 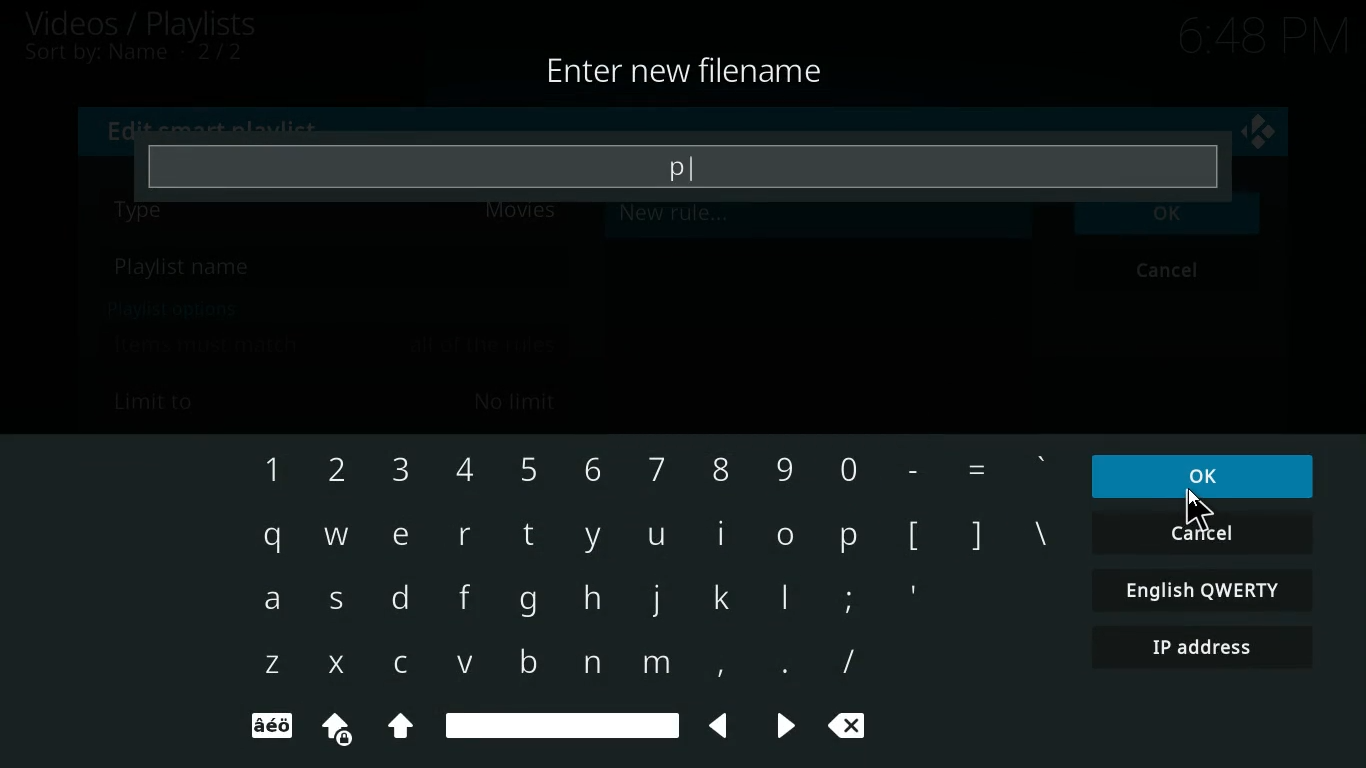 What do you see at coordinates (1172, 273) in the screenshot?
I see `cancel` at bounding box center [1172, 273].